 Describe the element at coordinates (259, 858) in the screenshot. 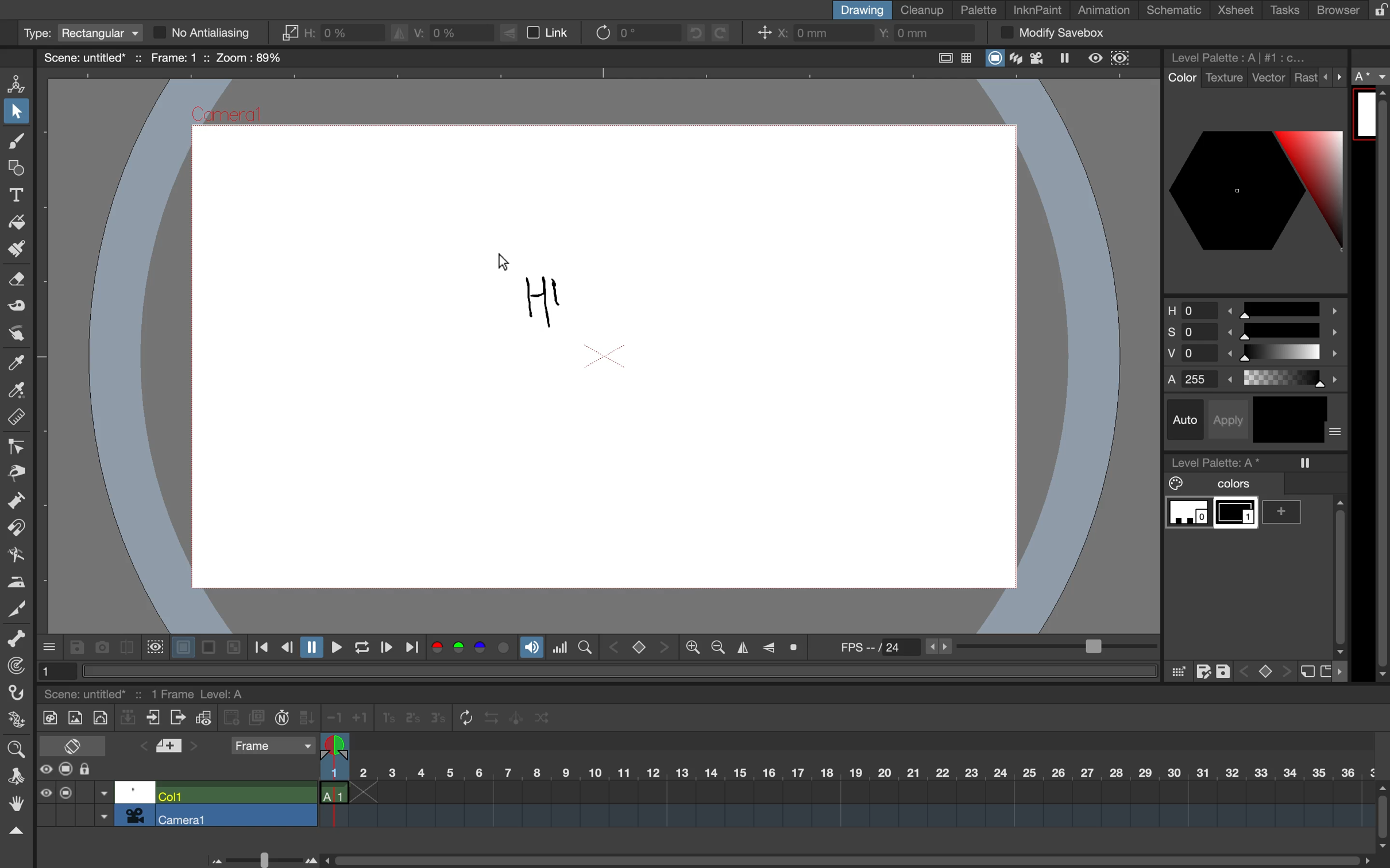

I see `time line bar scale` at that location.